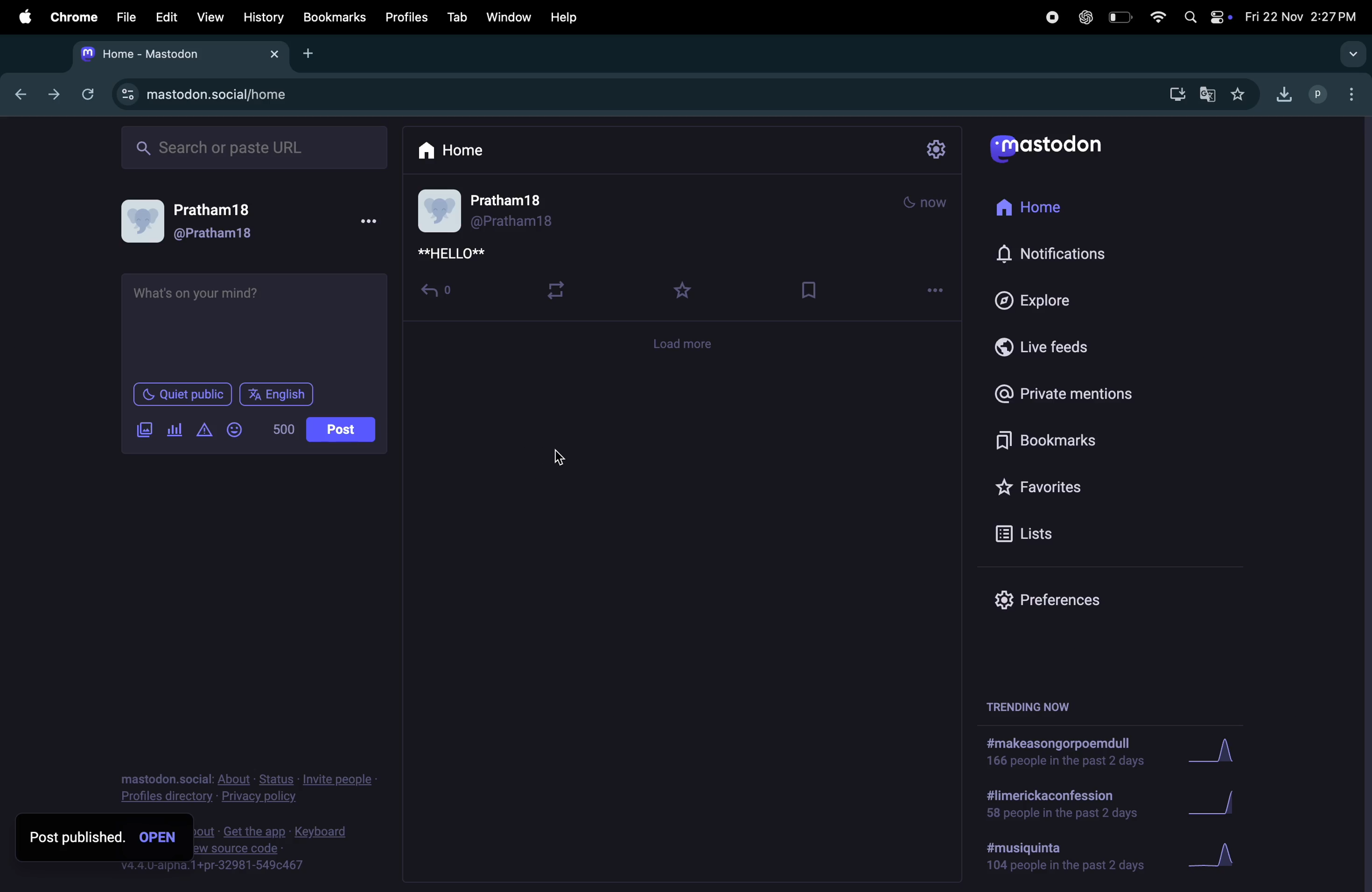 This screenshot has height=892, width=1372. I want to click on forward, so click(52, 95).